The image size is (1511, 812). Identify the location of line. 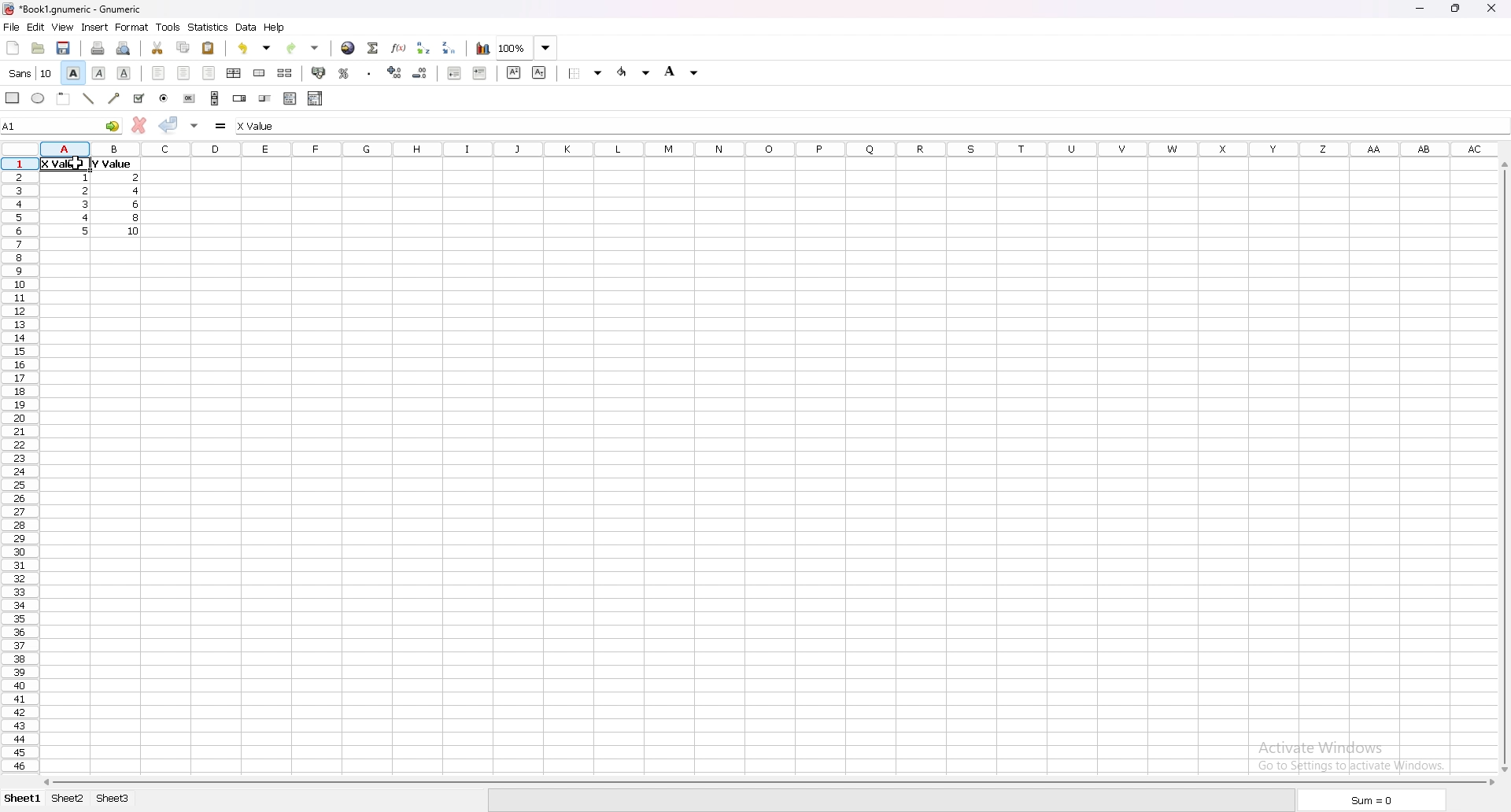
(88, 98).